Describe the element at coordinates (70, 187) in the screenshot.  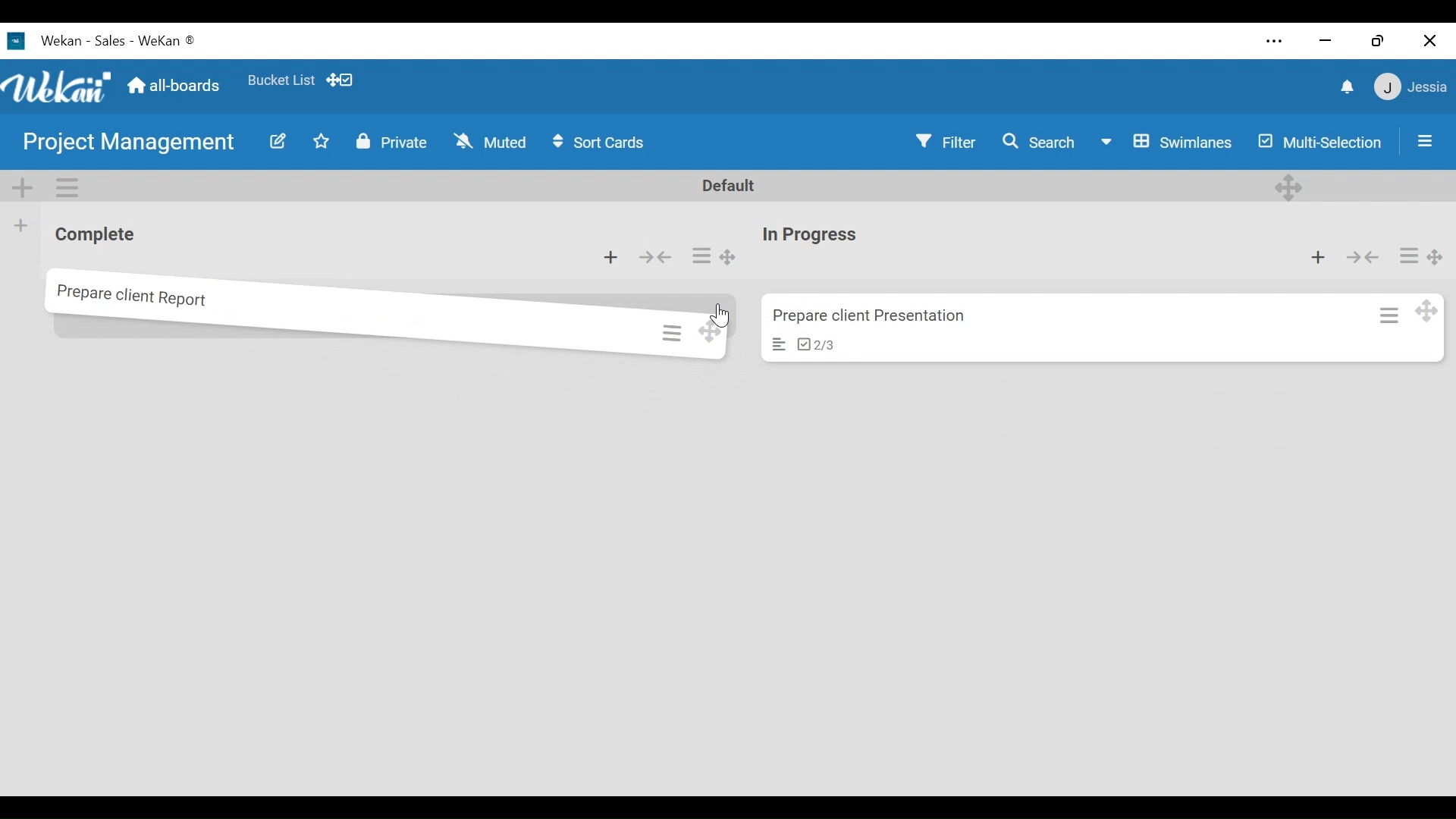
I see `Swimlane actions` at that location.